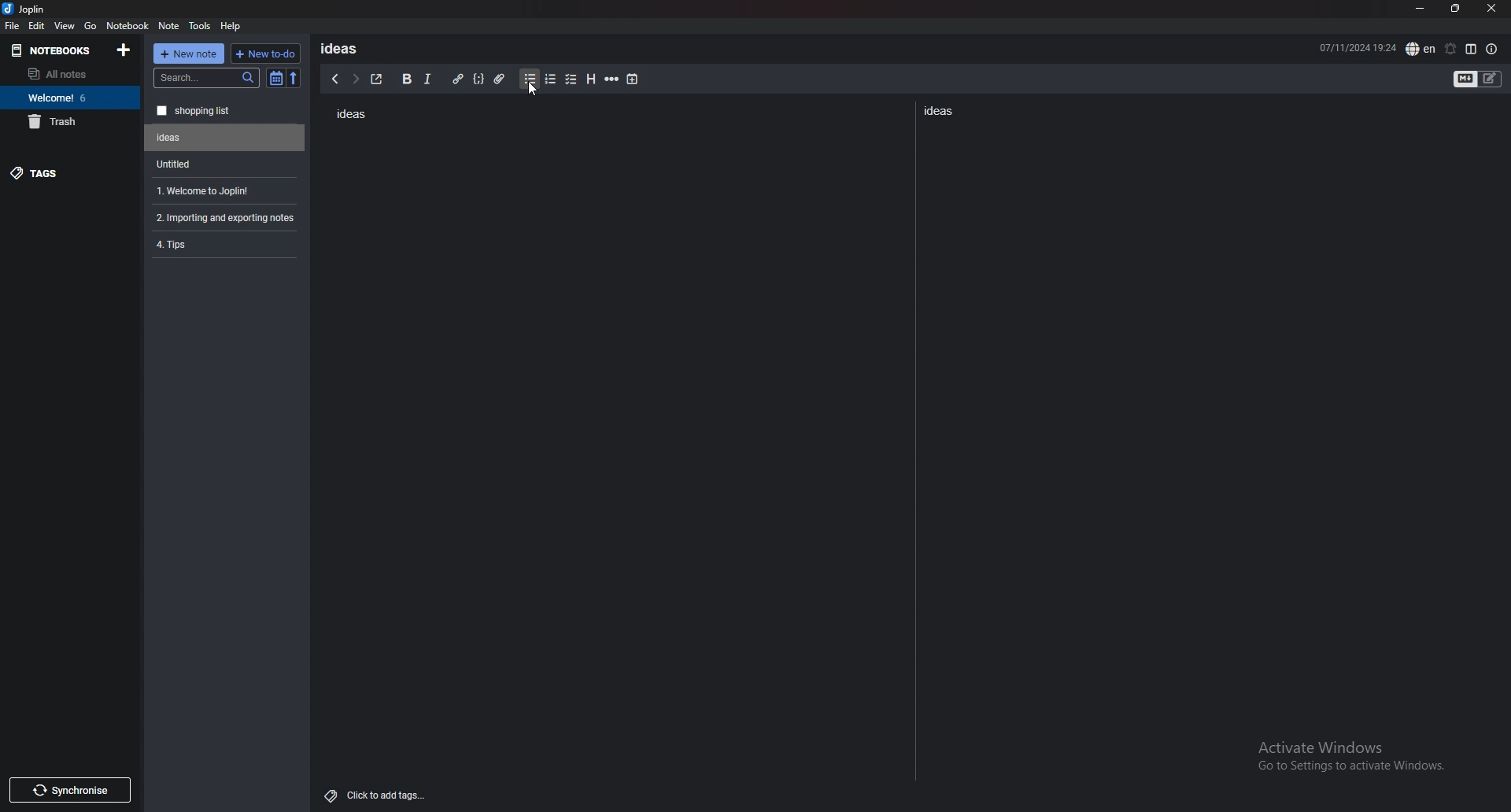  I want to click on toggle sort order, so click(276, 79).